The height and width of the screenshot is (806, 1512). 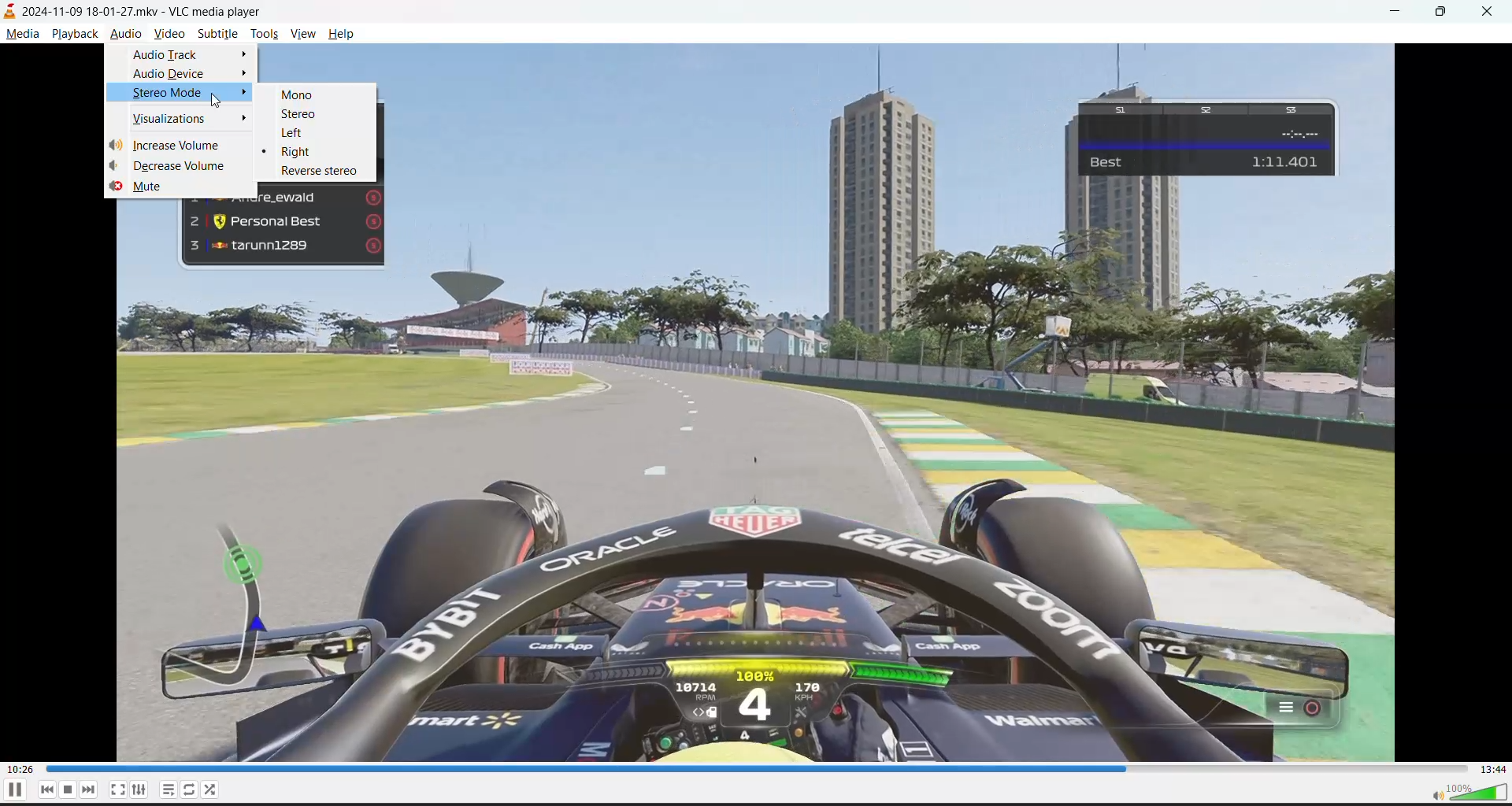 What do you see at coordinates (191, 73) in the screenshot?
I see `audio device` at bounding box center [191, 73].